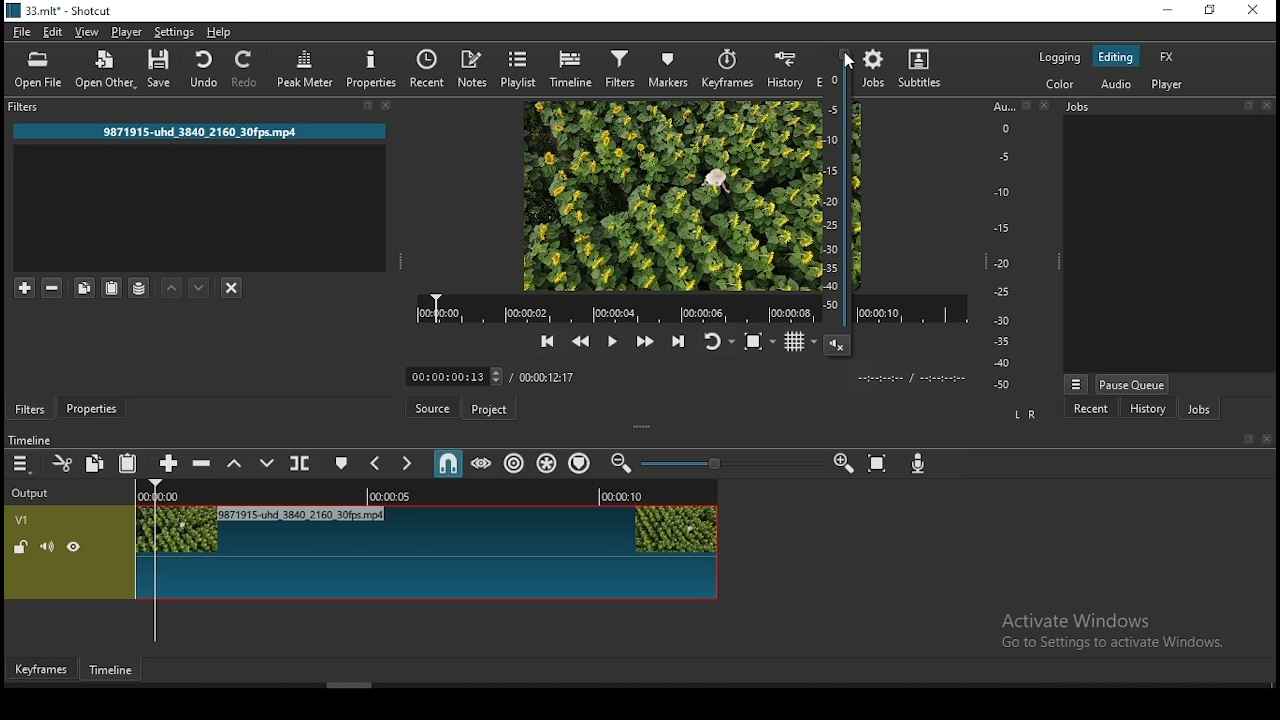 The image size is (1280, 720). What do you see at coordinates (201, 288) in the screenshot?
I see `move filter down` at bounding box center [201, 288].